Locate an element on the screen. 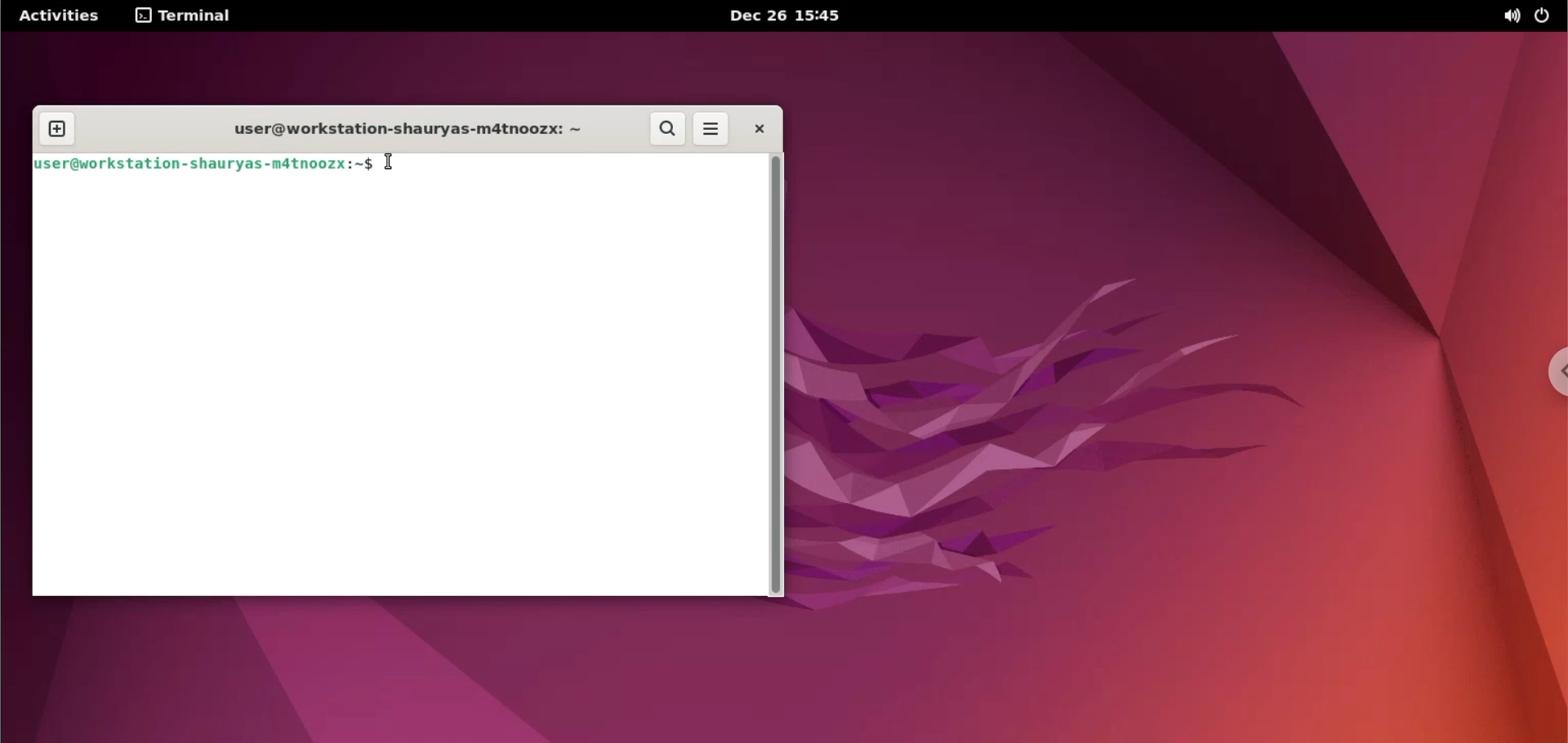  close is located at coordinates (758, 128).